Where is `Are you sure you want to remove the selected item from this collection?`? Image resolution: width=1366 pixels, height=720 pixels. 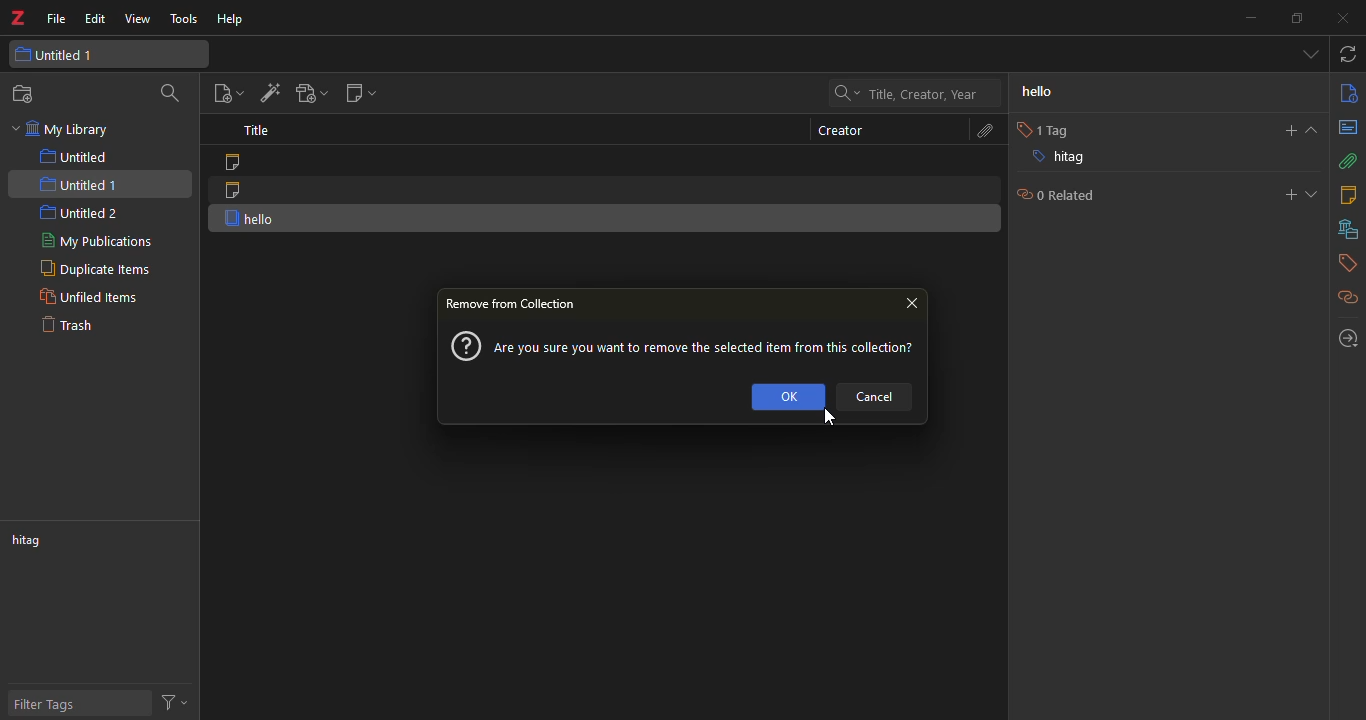 Are you sure you want to remove the selected item from this collection? is located at coordinates (710, 350).